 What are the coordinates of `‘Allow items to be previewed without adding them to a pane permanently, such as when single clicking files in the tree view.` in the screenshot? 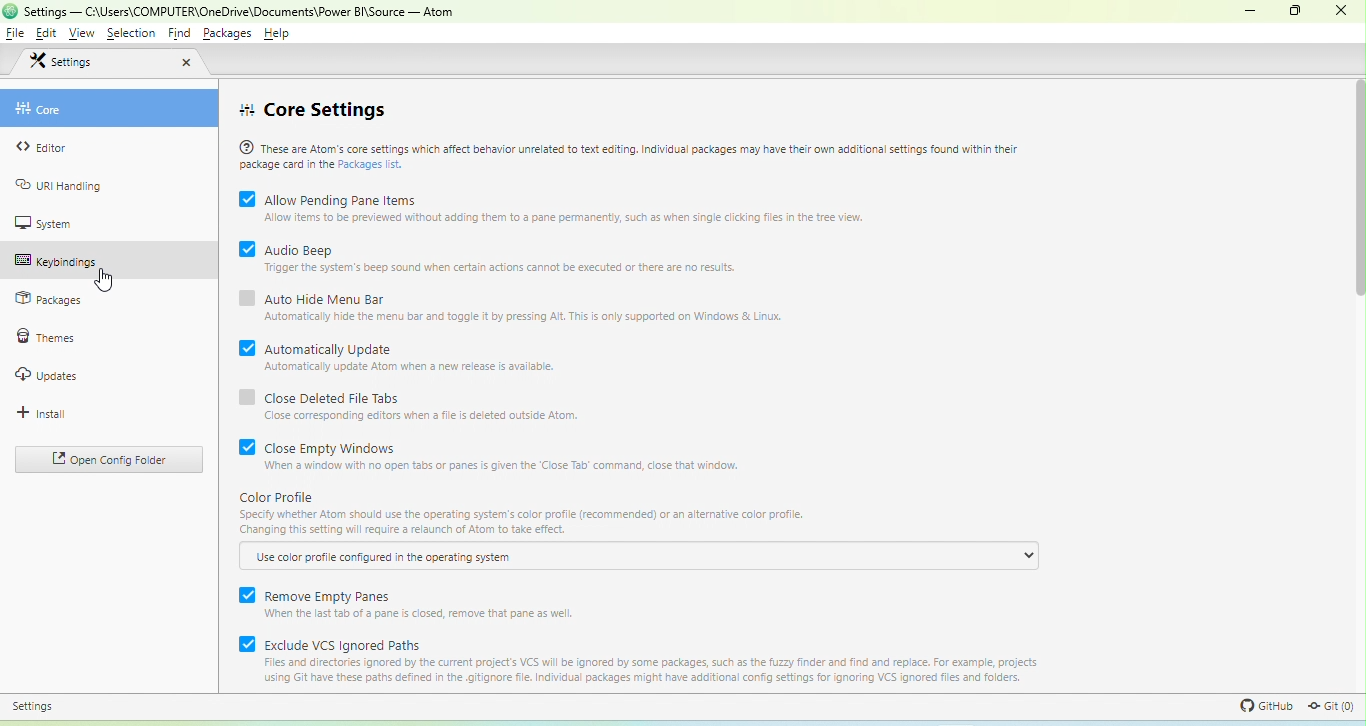 It's located at (556, 218).